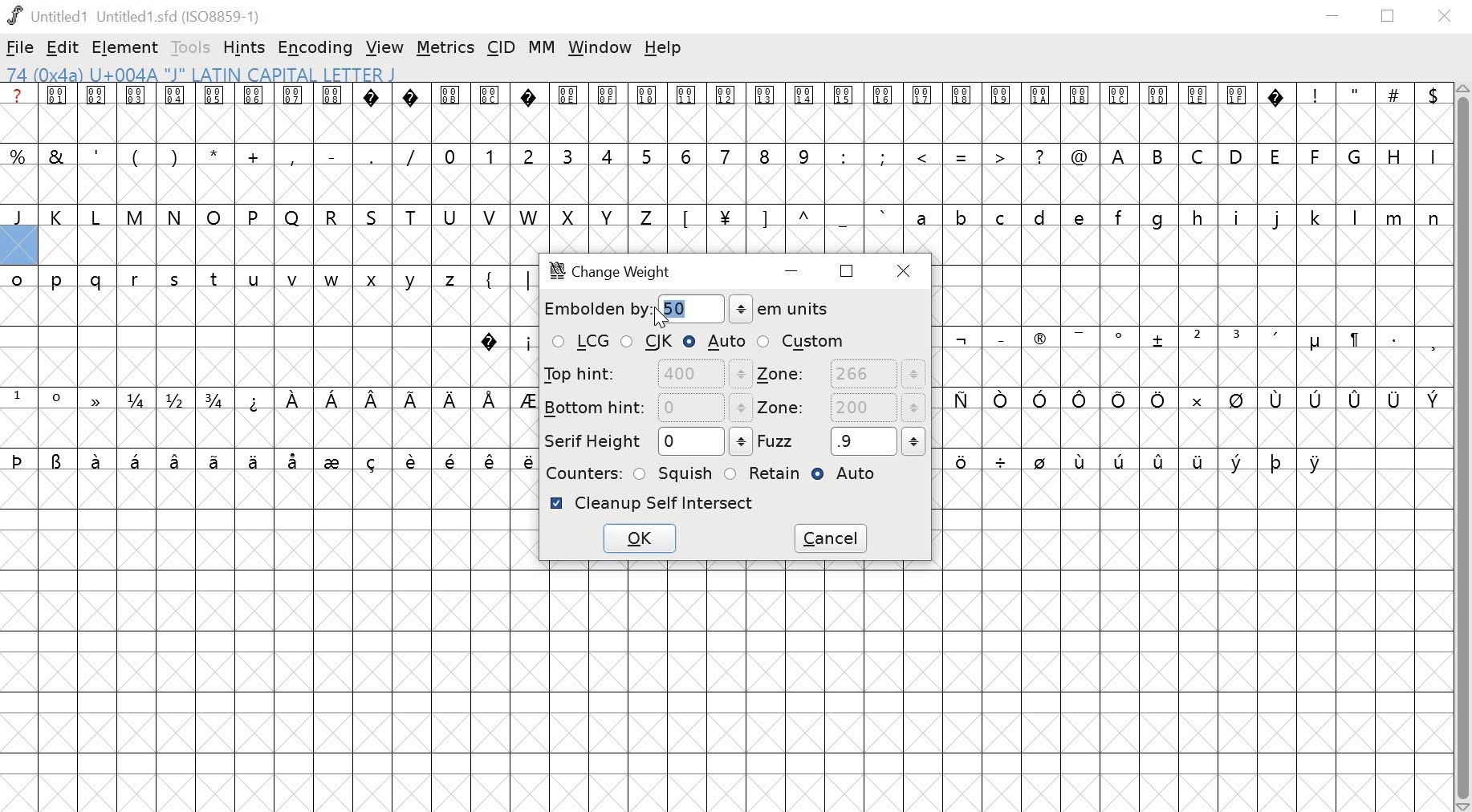  Describe the element at coordinates (783, 217) in the screenshot. I see `symbols` at that location.